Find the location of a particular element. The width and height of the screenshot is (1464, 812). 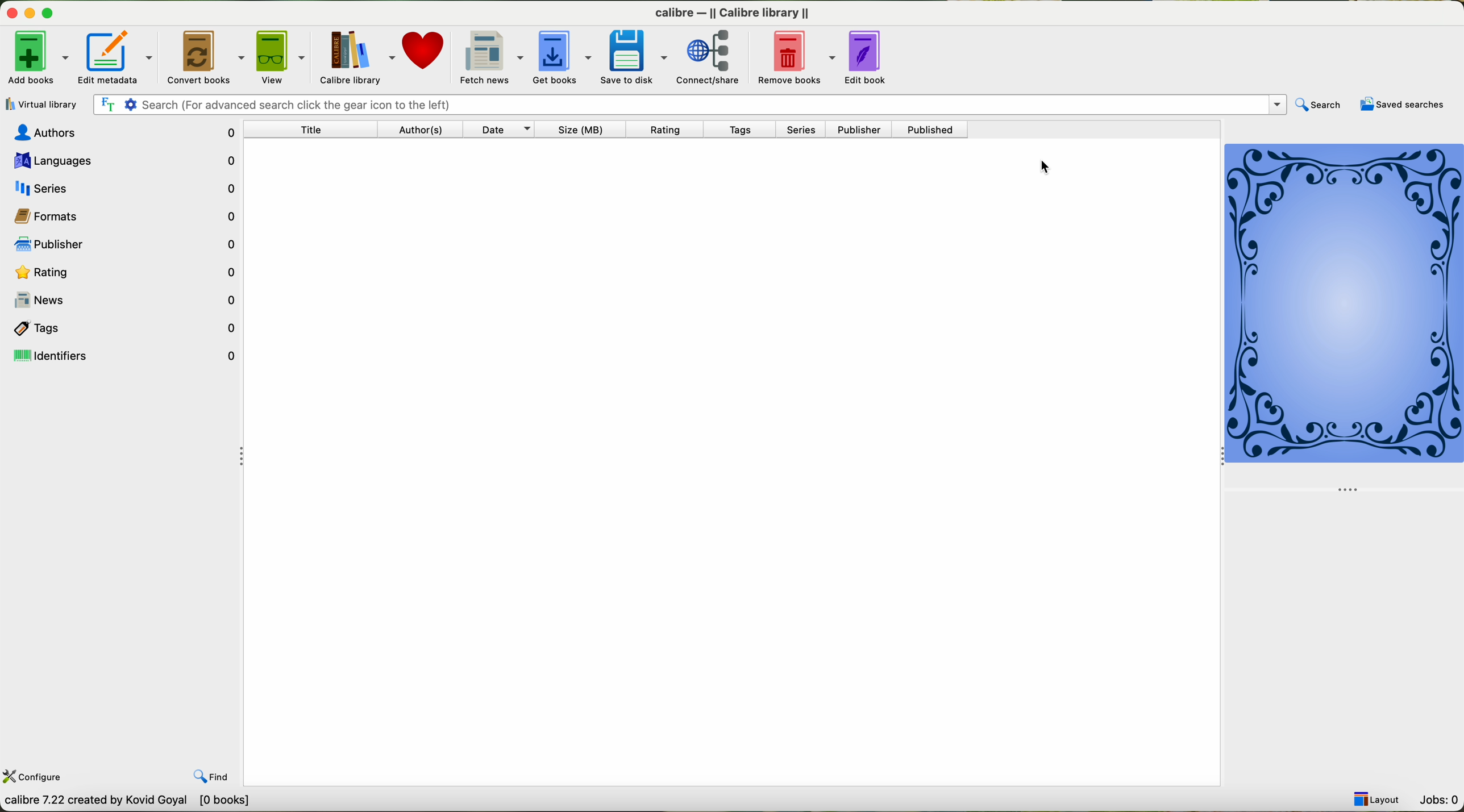

date is located at coordinates (505, 130).